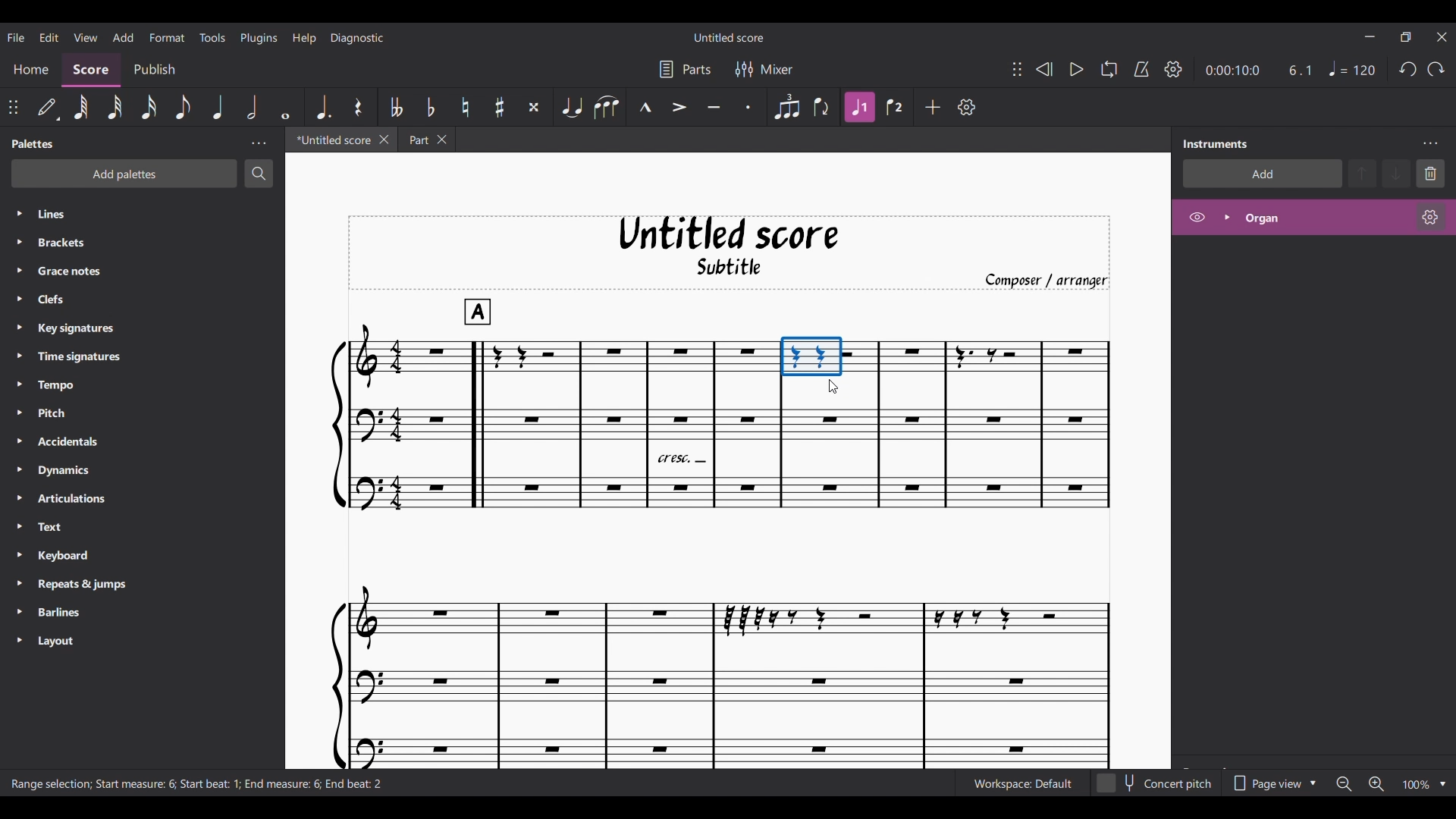  I want to click on Description of current selection by cursor changed, so click(199, 783).